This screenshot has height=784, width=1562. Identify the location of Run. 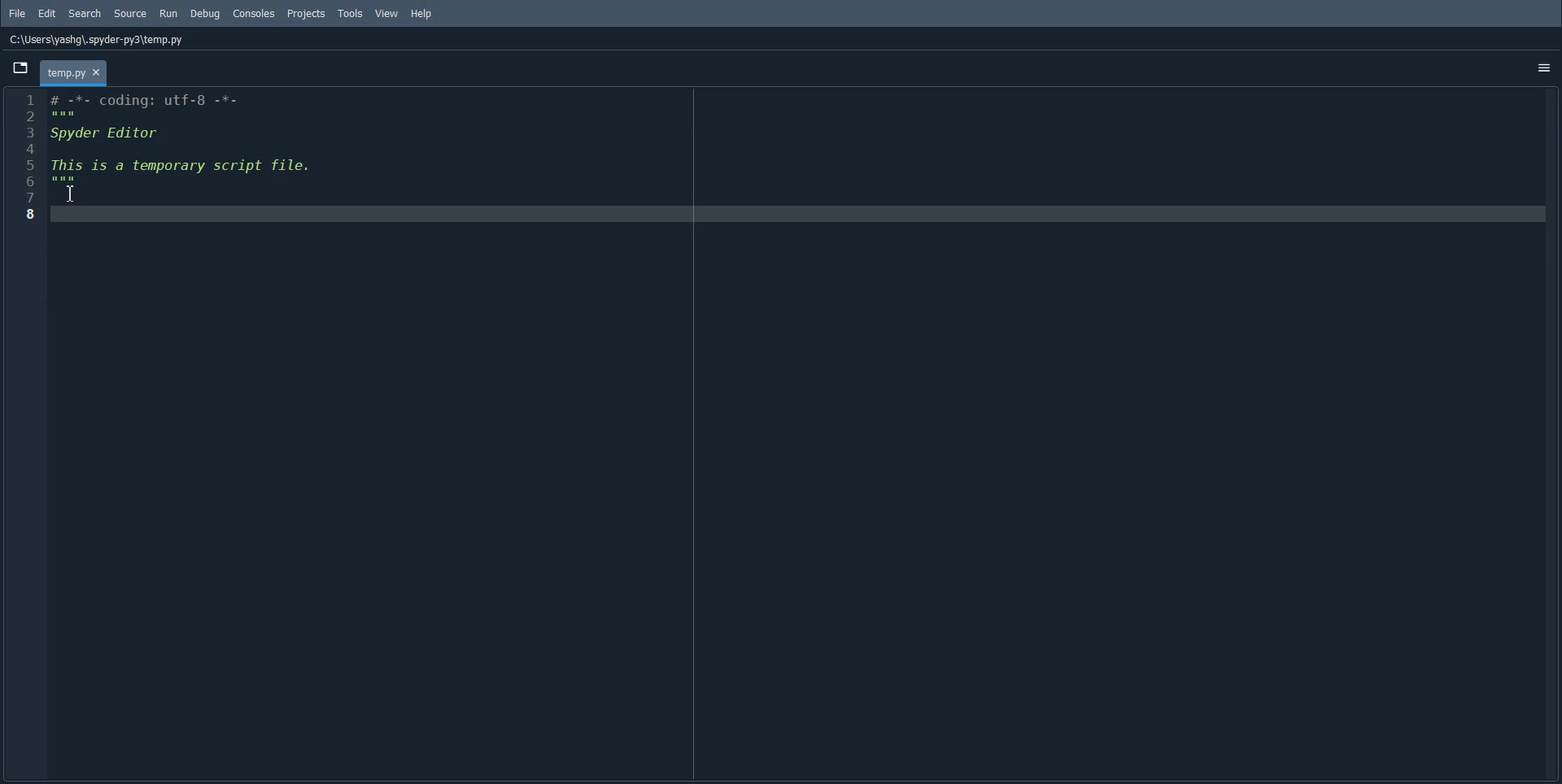
(173, 11).